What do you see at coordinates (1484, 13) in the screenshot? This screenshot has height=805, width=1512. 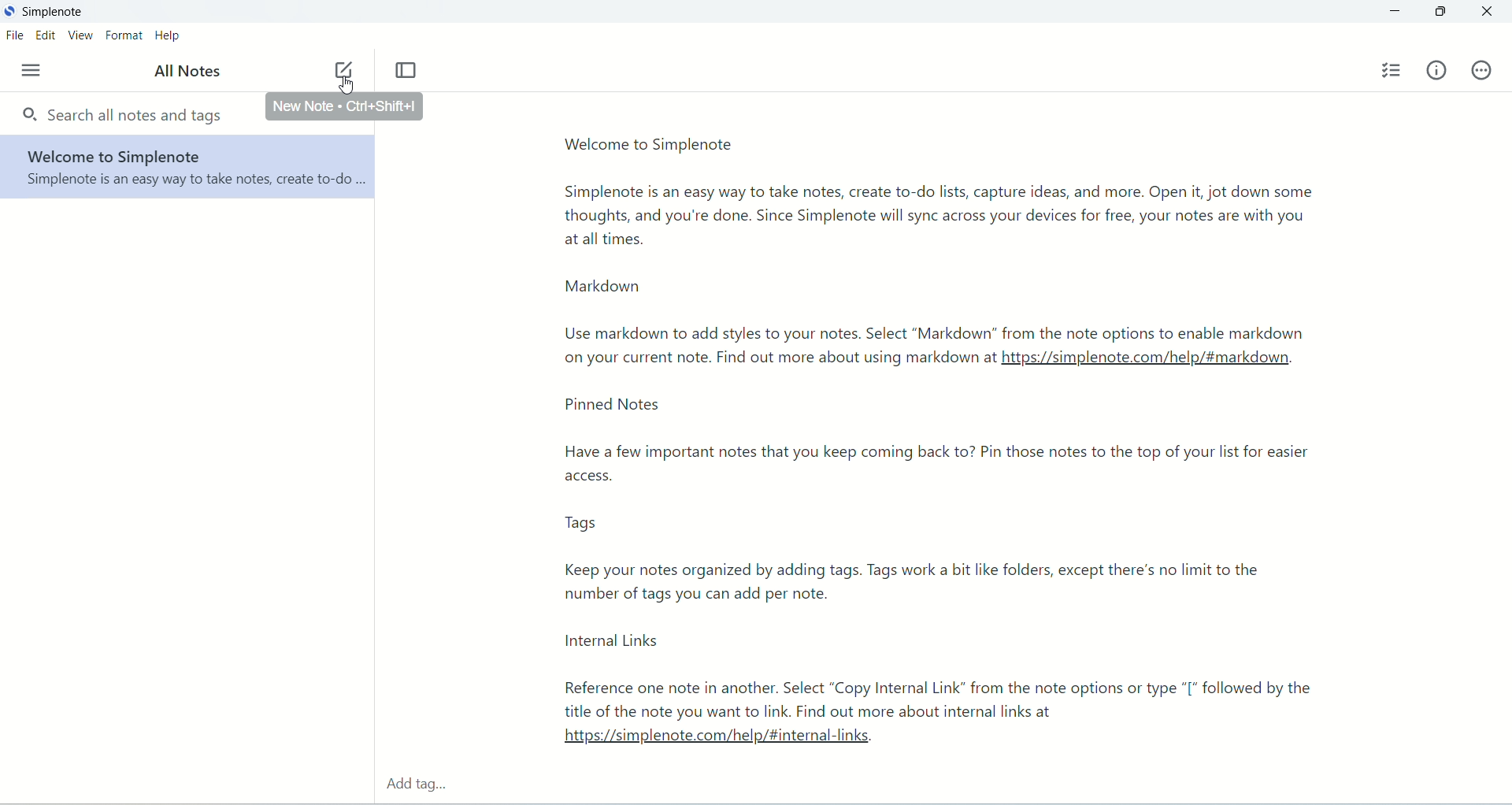 I see `close` at bounding box center [1484, 13].